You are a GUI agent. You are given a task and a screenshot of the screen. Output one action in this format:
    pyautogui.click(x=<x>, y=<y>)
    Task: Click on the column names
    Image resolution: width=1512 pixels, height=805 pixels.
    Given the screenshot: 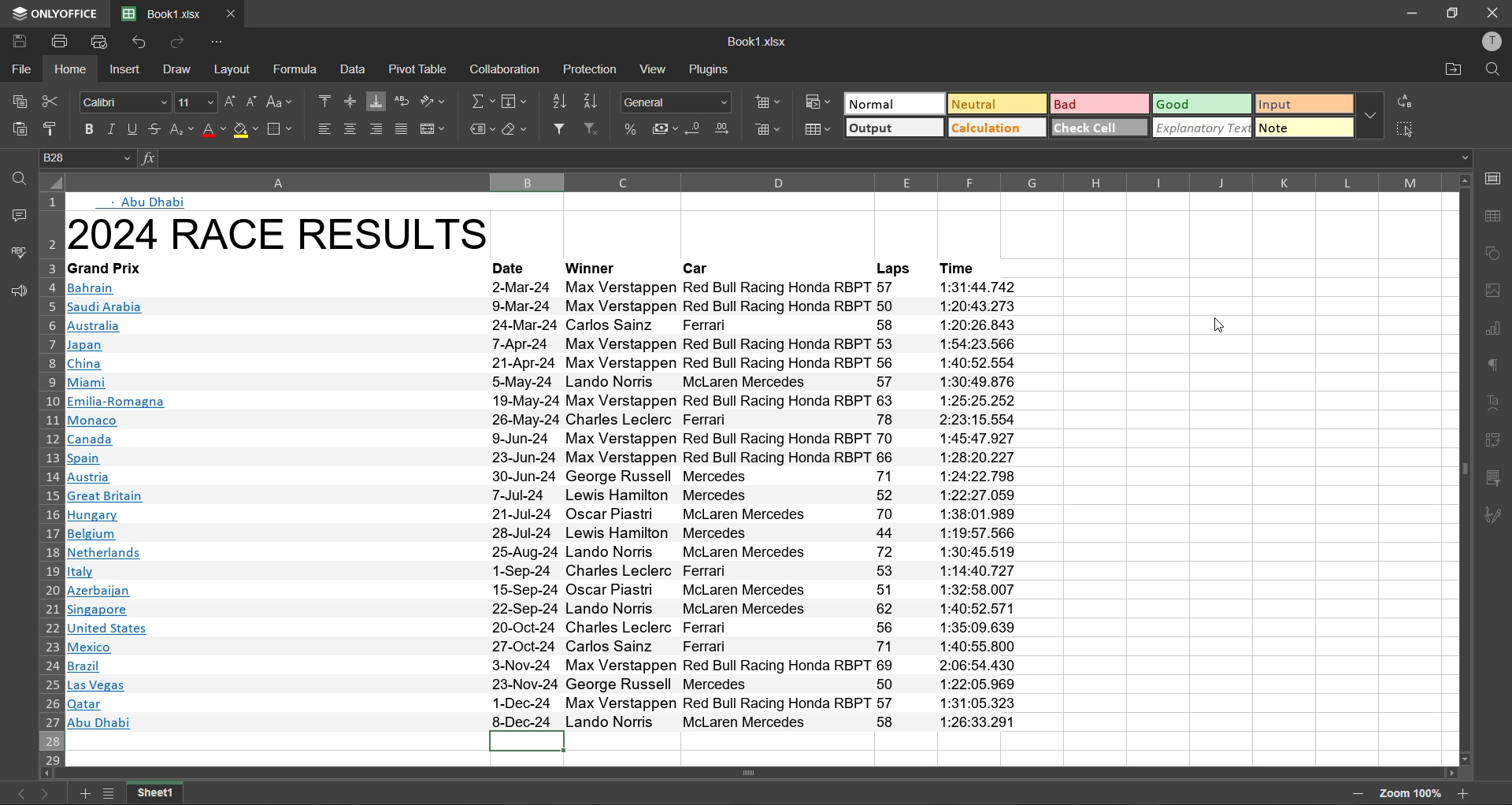 What is the action you would take?
    pyautogui.click(x=754, y=181)
    